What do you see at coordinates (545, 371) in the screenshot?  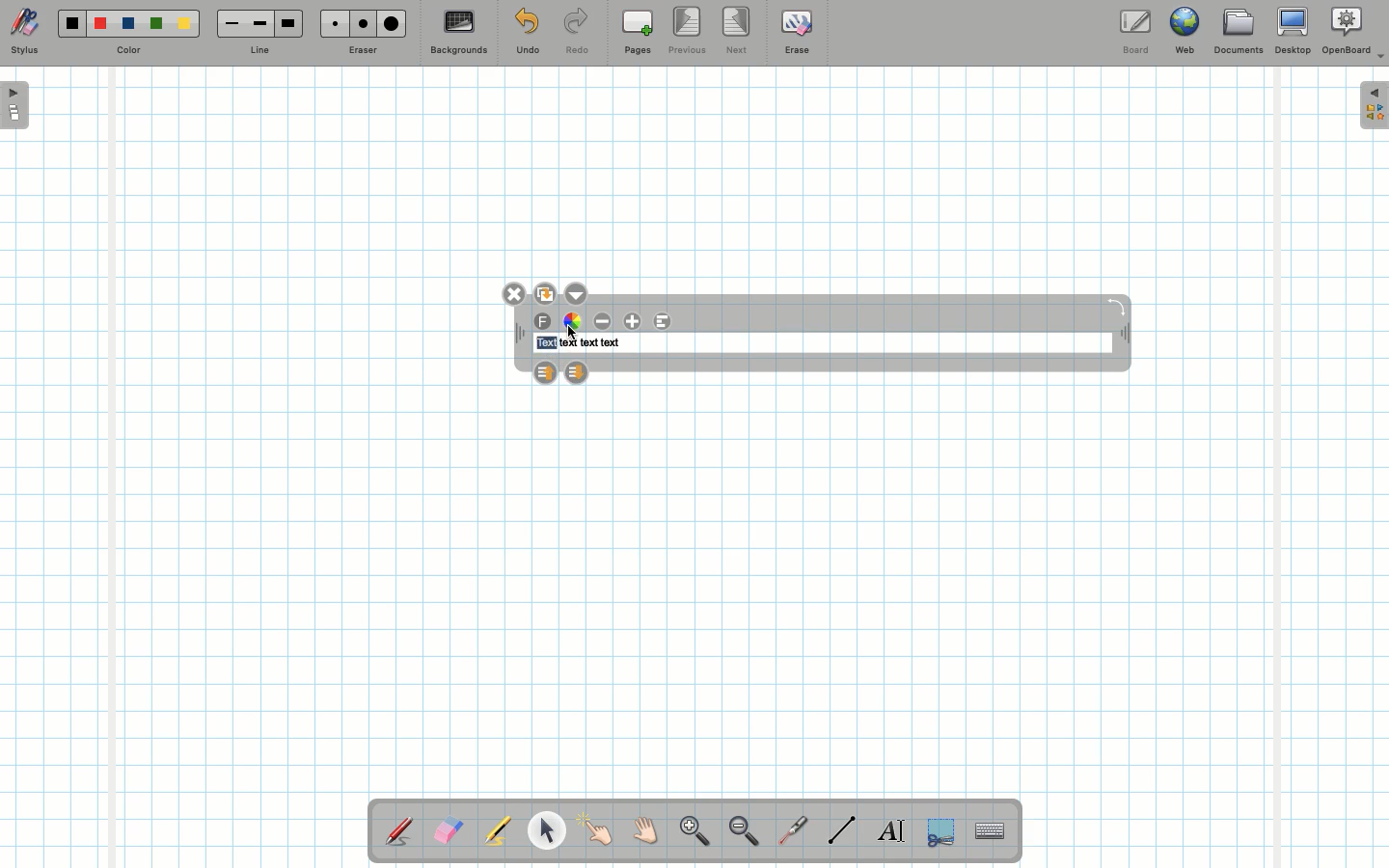 I see `Layer up` at bounding box center [545, 371].